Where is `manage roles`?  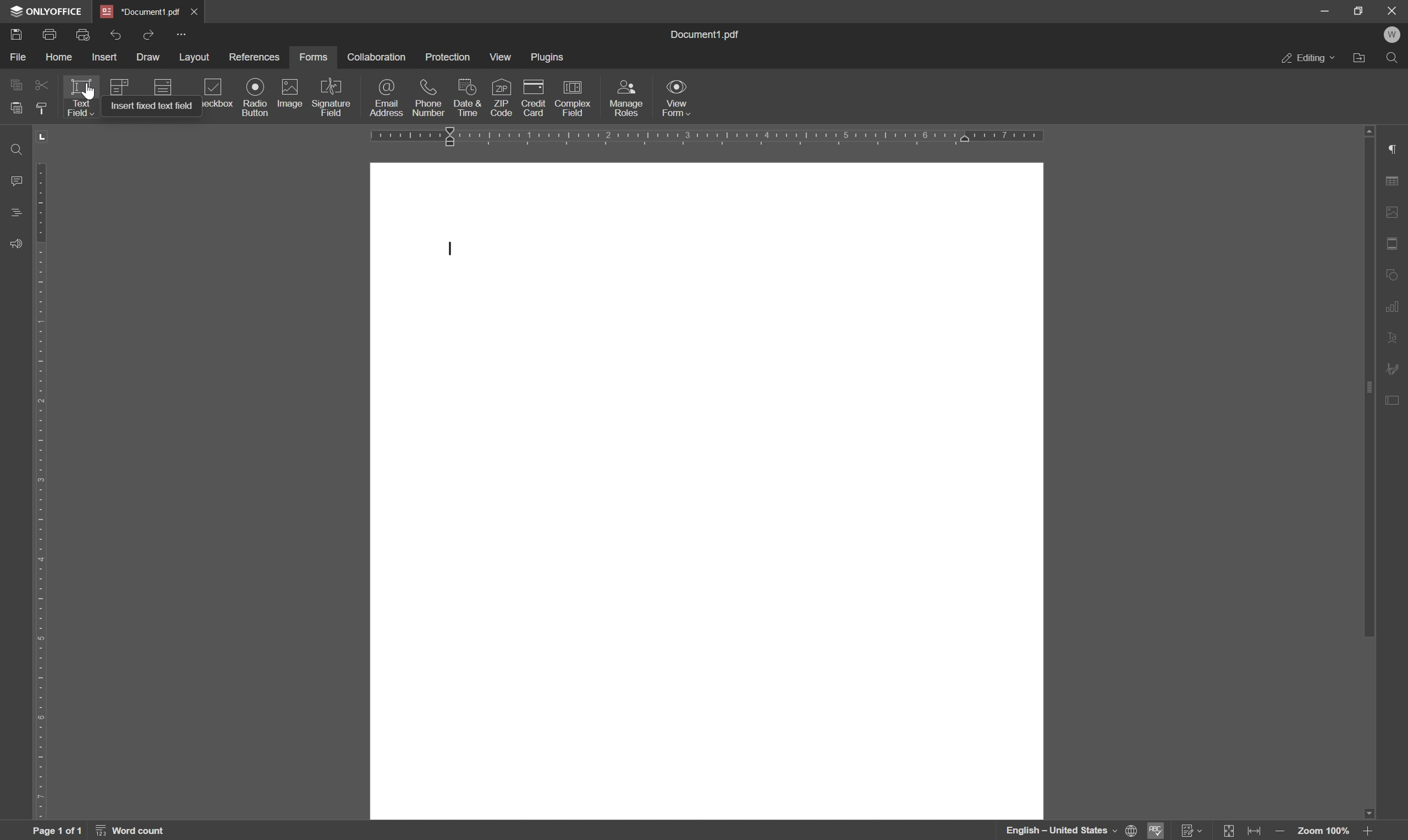 manage roles is located at coordinates (628, 97).